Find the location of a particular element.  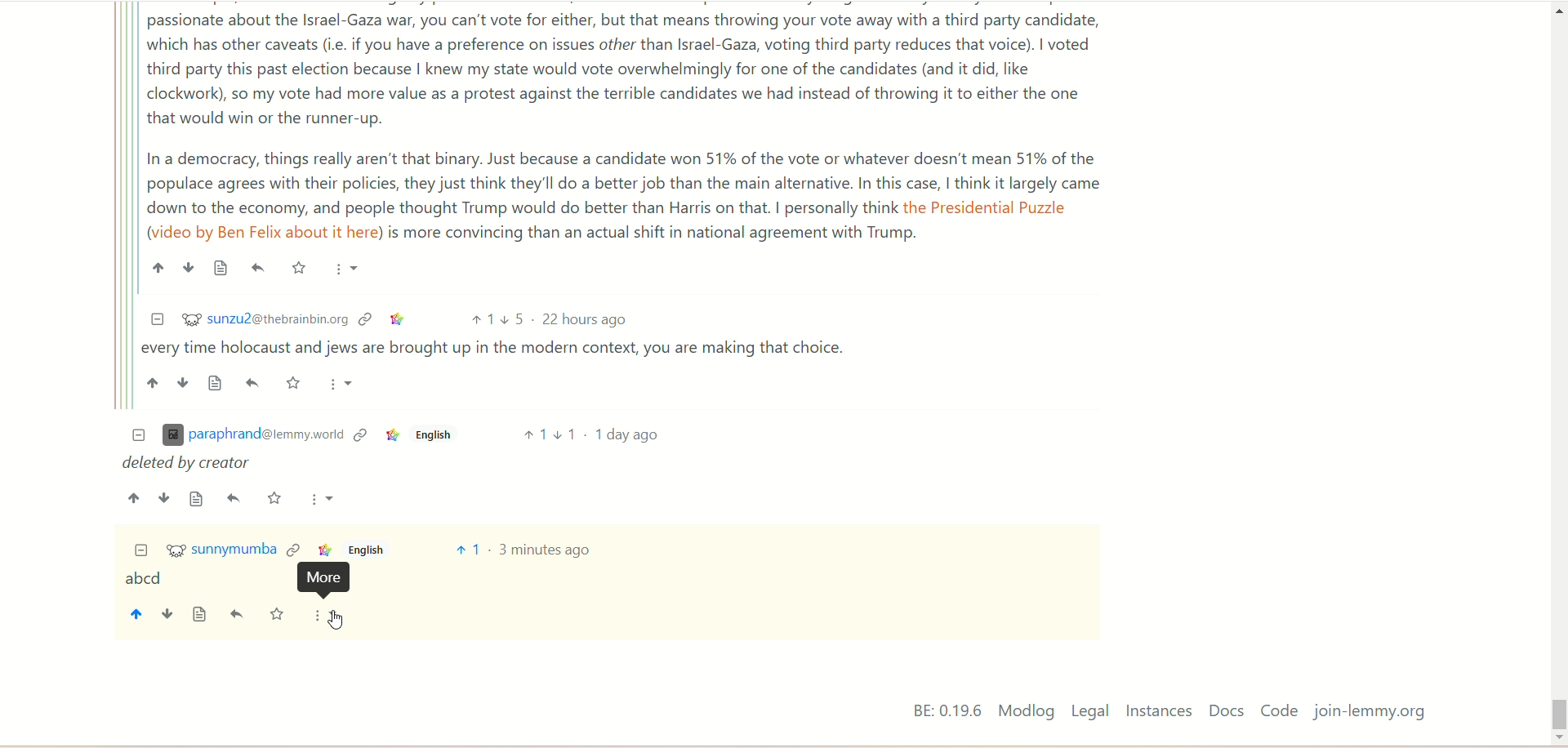

view source is located at coordinates (200, 615).